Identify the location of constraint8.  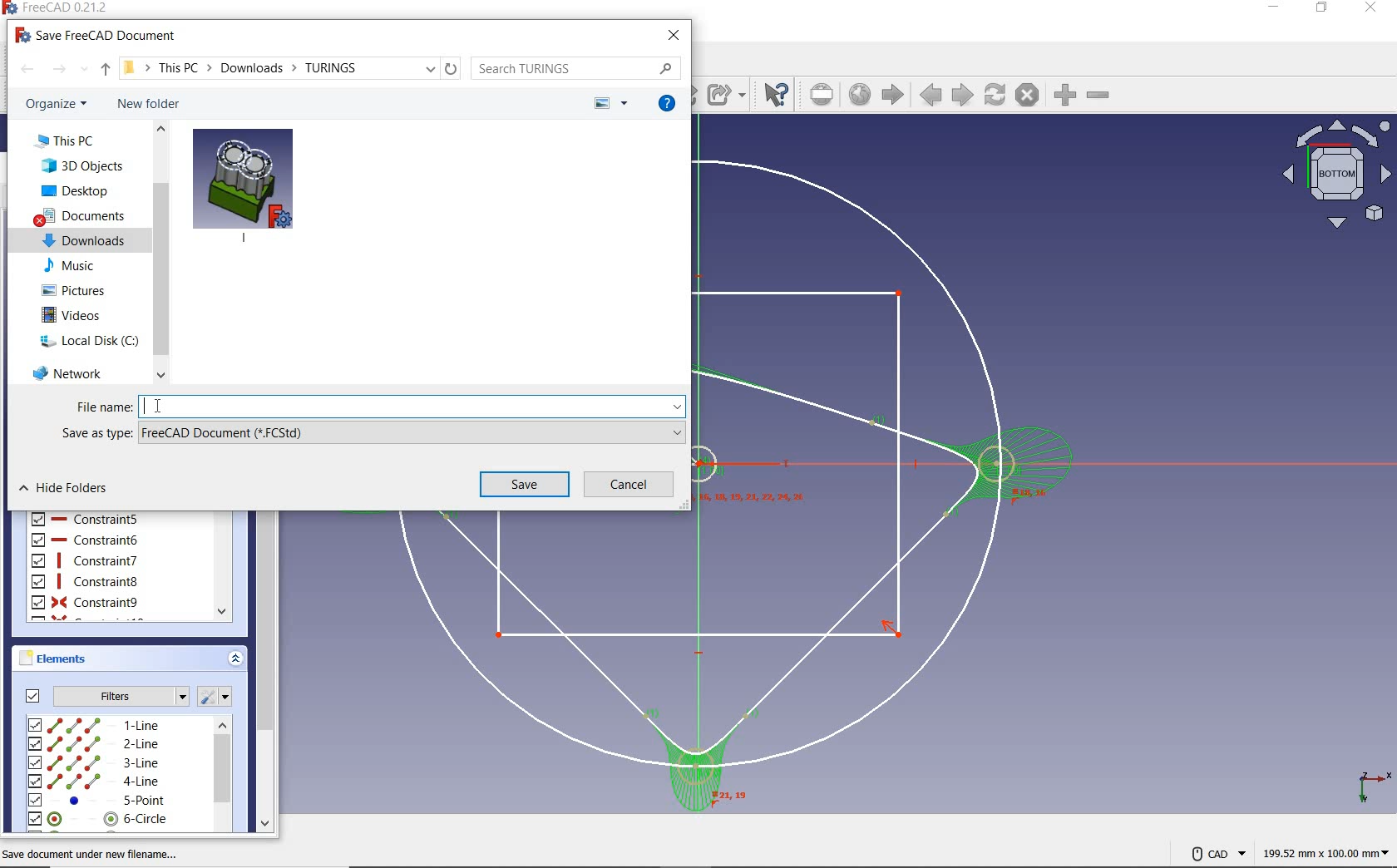
(86, 581).